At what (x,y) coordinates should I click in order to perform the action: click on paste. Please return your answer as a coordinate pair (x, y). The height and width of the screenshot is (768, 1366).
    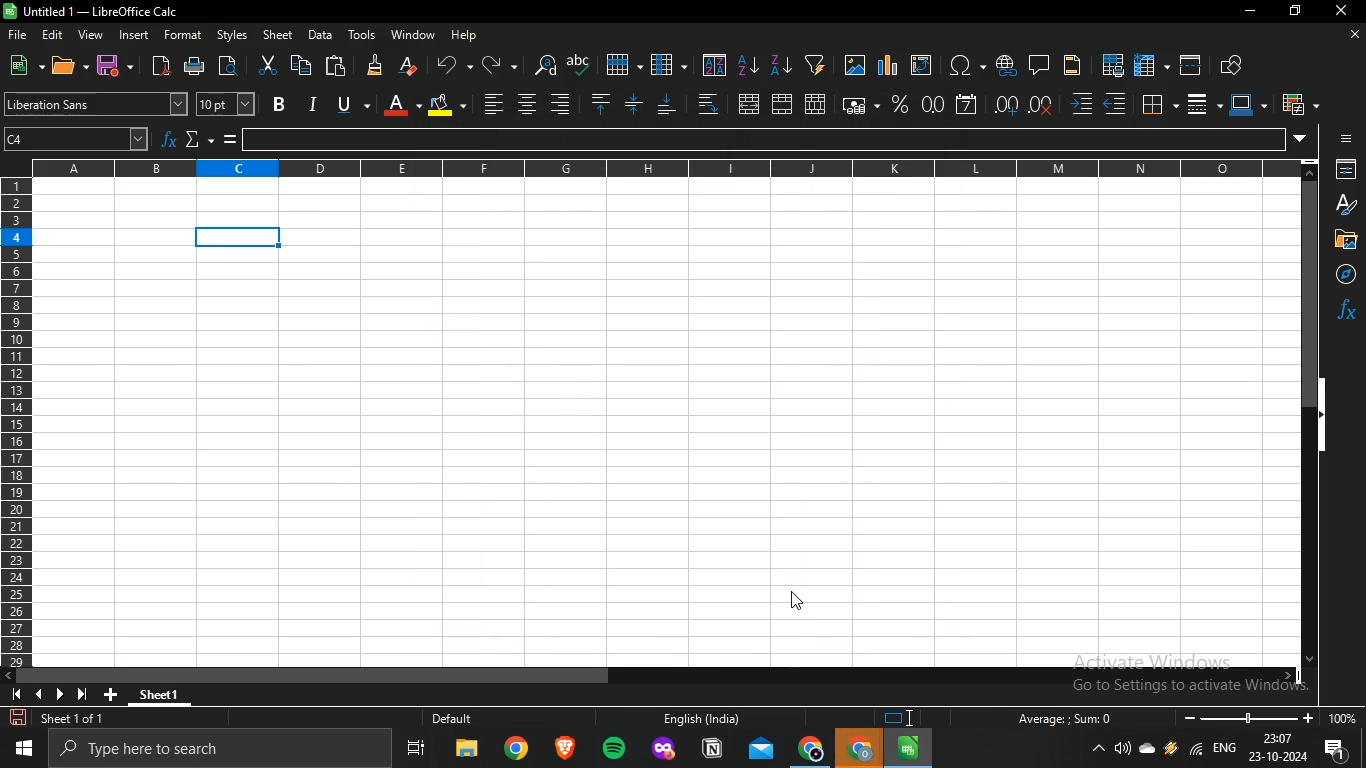
    Looking at the image, I should click on (337, 64).